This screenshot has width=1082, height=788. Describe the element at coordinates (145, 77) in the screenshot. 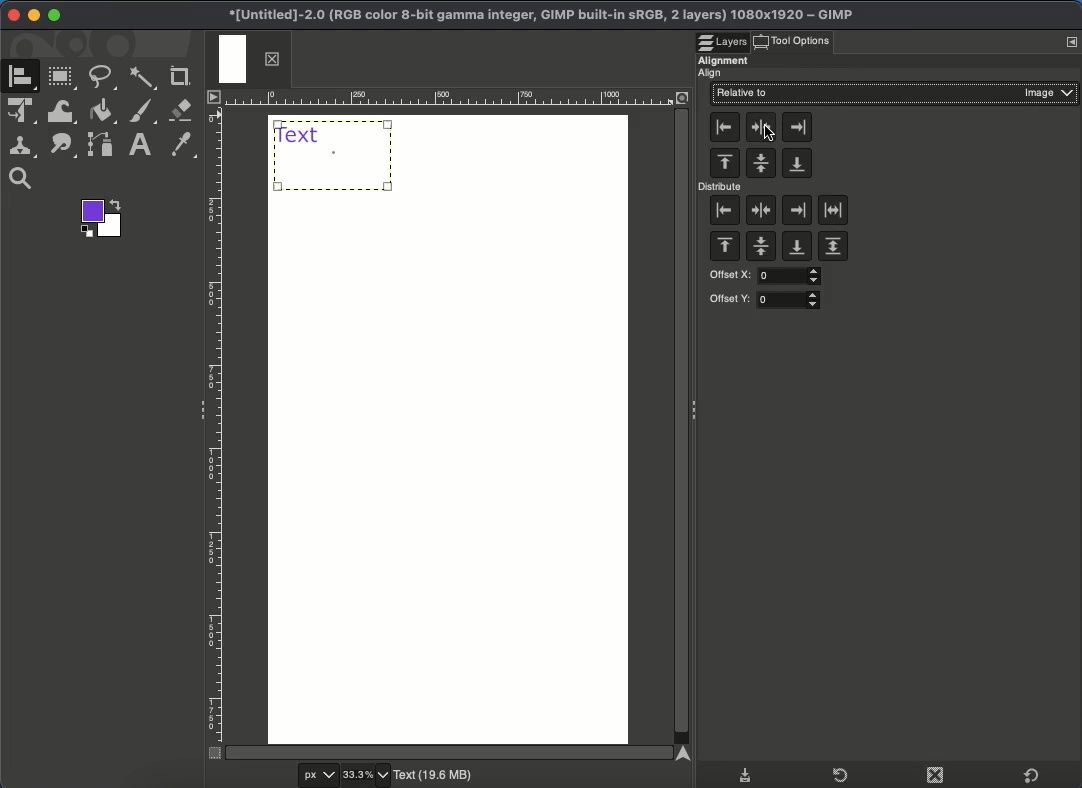

I see `Fuzzy select tool` at that location.